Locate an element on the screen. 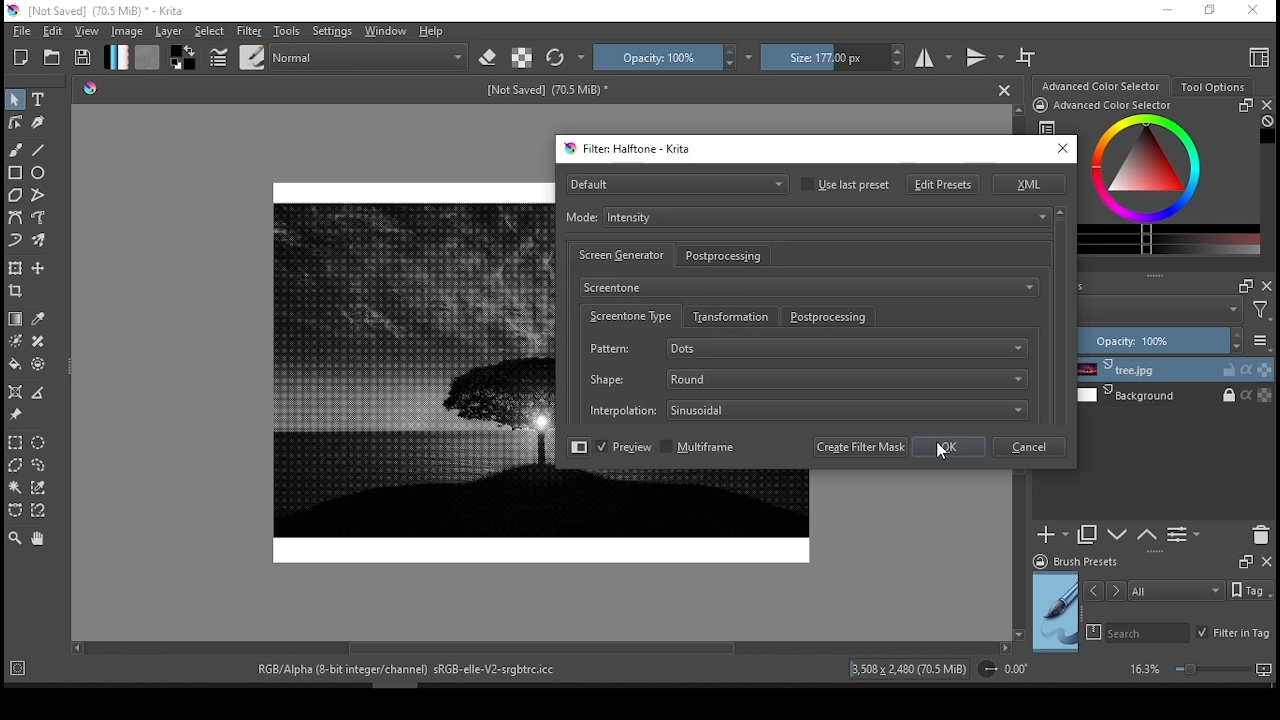 This screenshot has width=1280, height=720. colorize mask tool is located at coordinates (16, 341).